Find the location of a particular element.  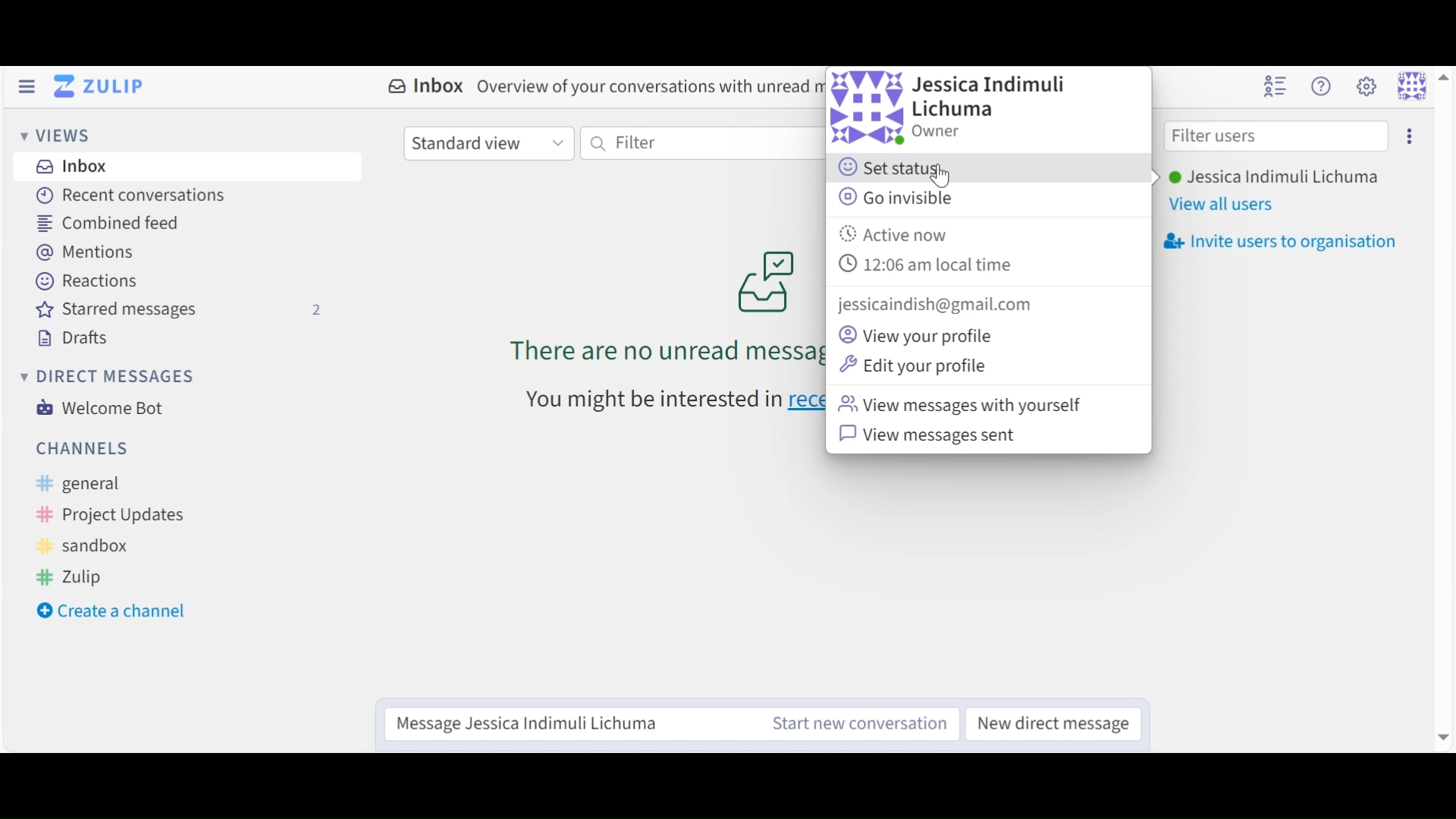

Edit your profile is located at coordinates (917, 363).